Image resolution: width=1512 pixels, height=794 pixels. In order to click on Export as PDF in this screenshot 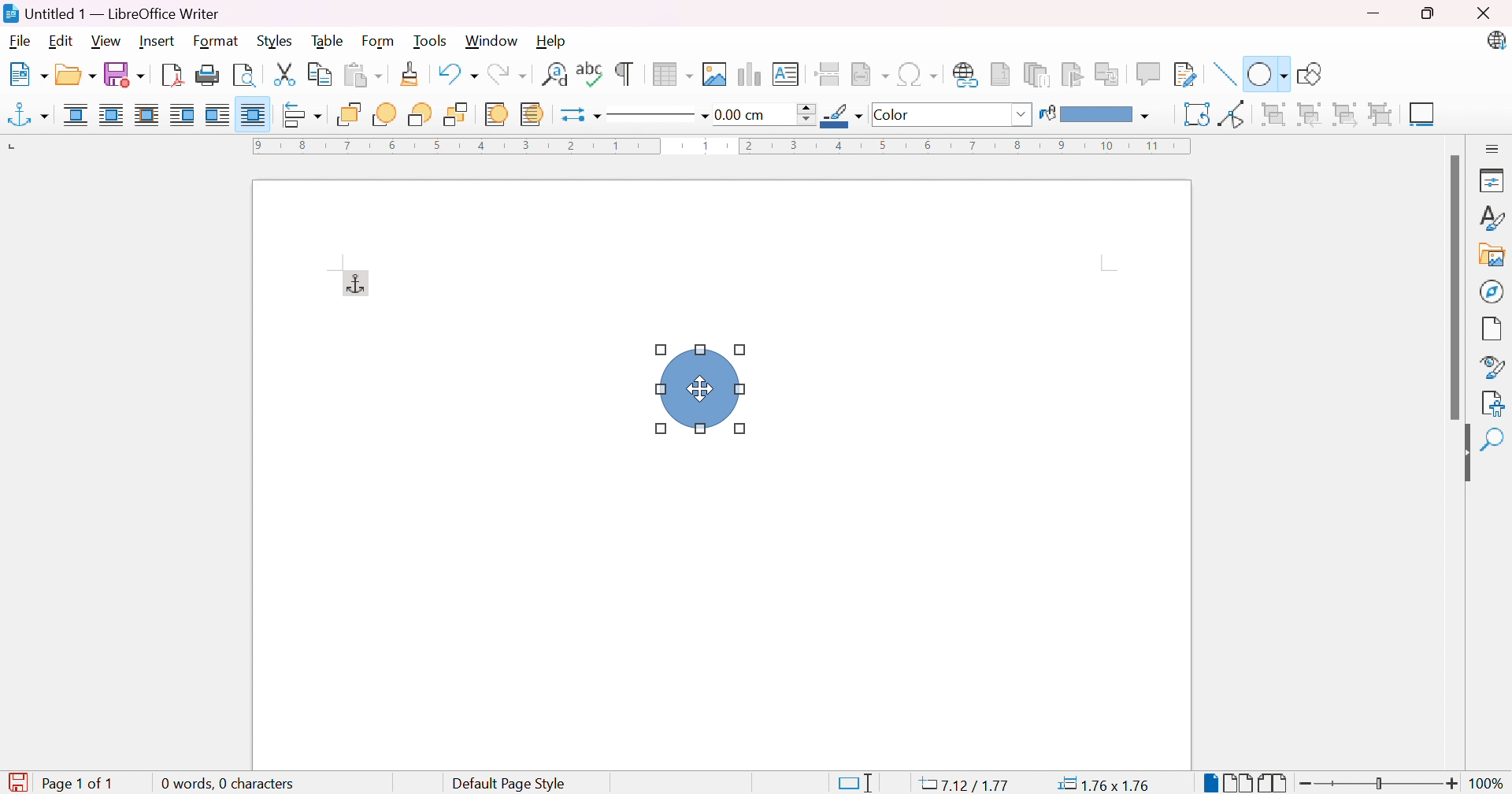, I will do `click(171, 76)`.